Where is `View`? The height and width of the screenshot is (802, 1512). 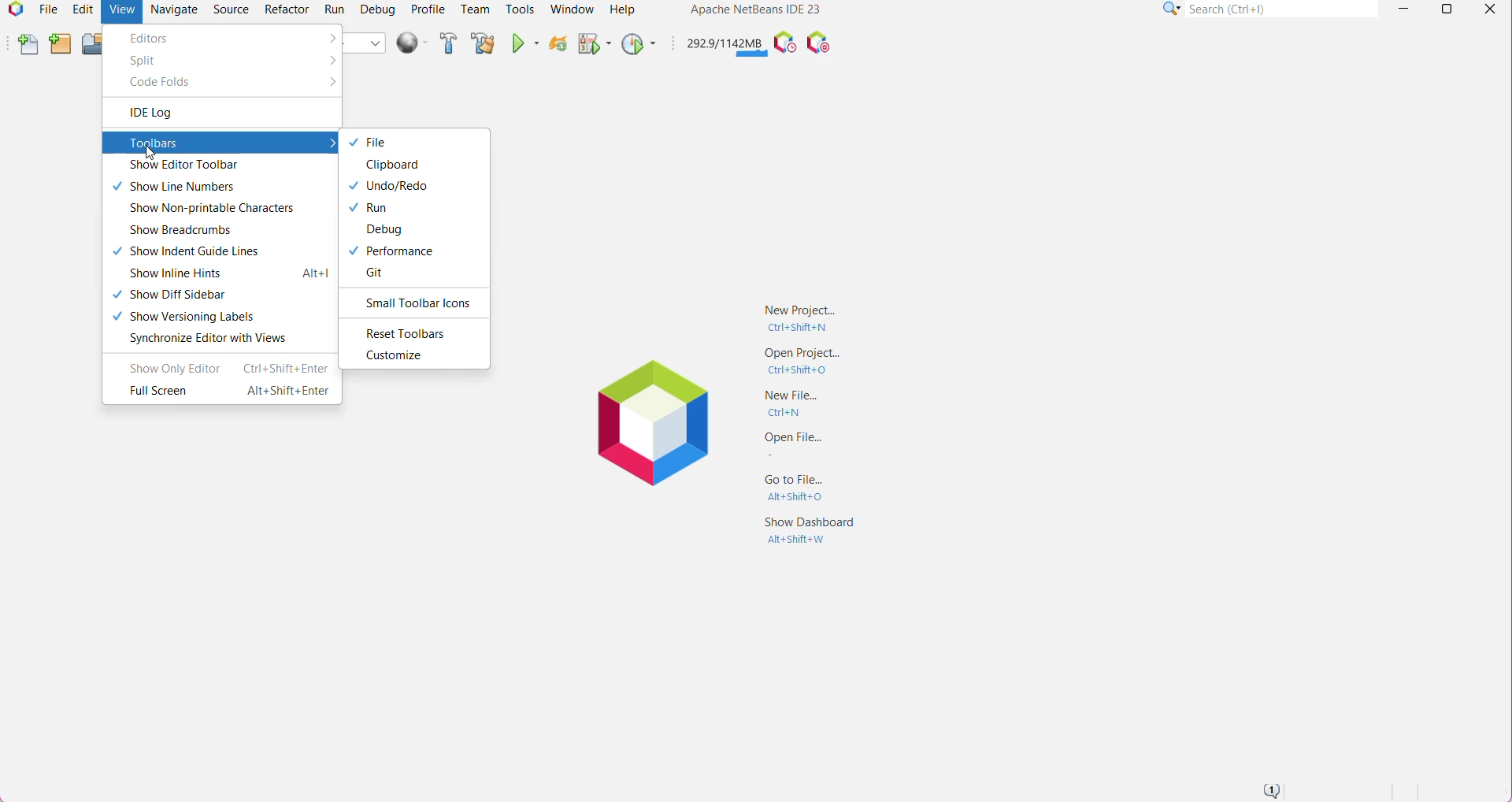 View is located at coordinates (120, 12).